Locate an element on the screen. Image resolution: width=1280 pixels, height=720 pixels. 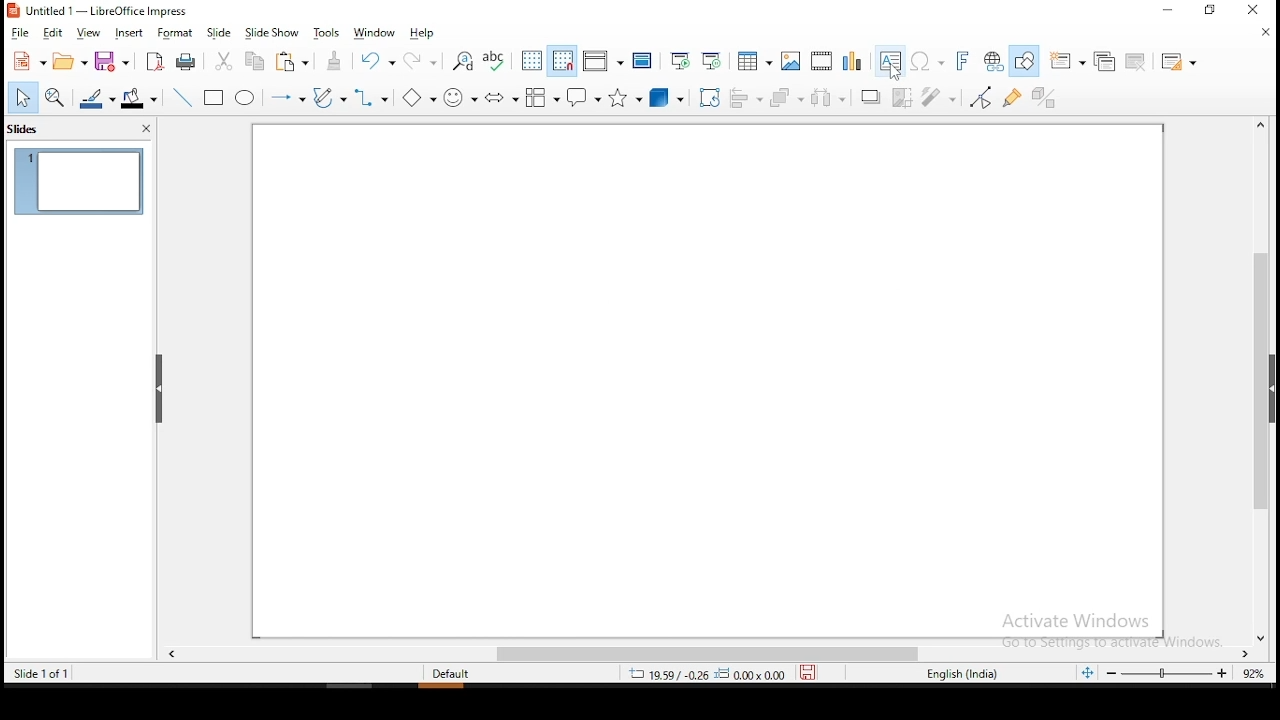
open is located at coordinates (71, 60).